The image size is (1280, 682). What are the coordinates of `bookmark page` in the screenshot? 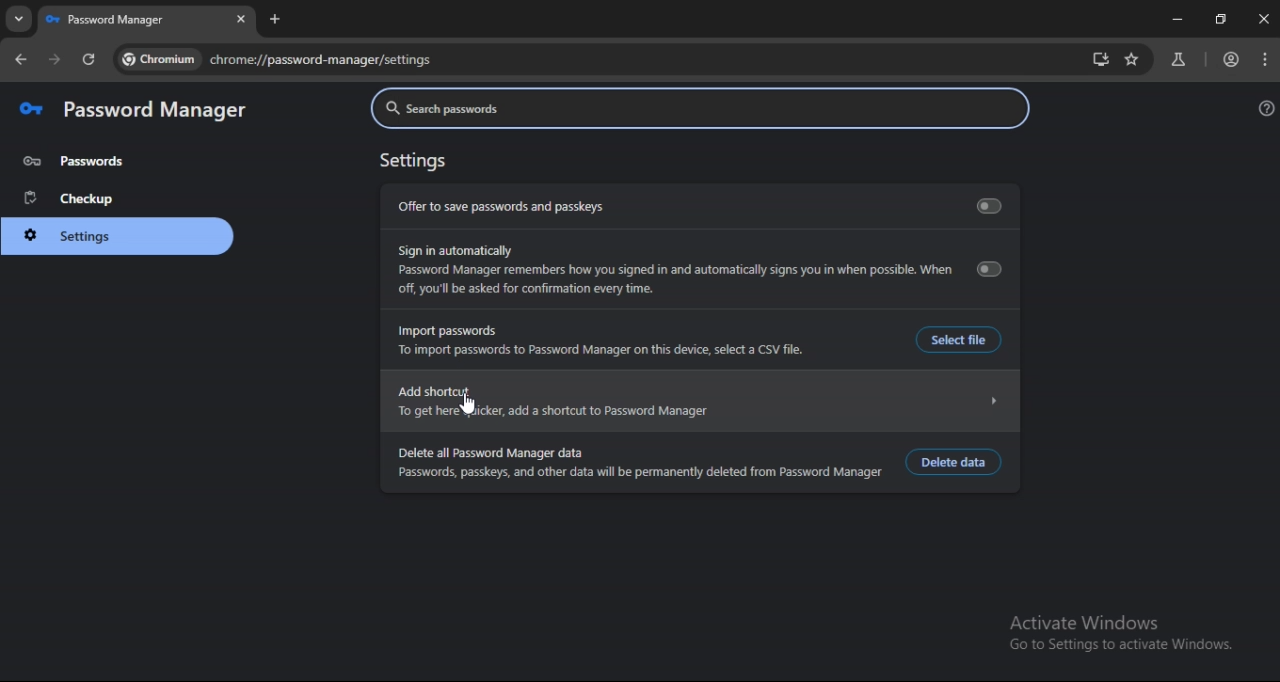 It's located at (1130, 62).